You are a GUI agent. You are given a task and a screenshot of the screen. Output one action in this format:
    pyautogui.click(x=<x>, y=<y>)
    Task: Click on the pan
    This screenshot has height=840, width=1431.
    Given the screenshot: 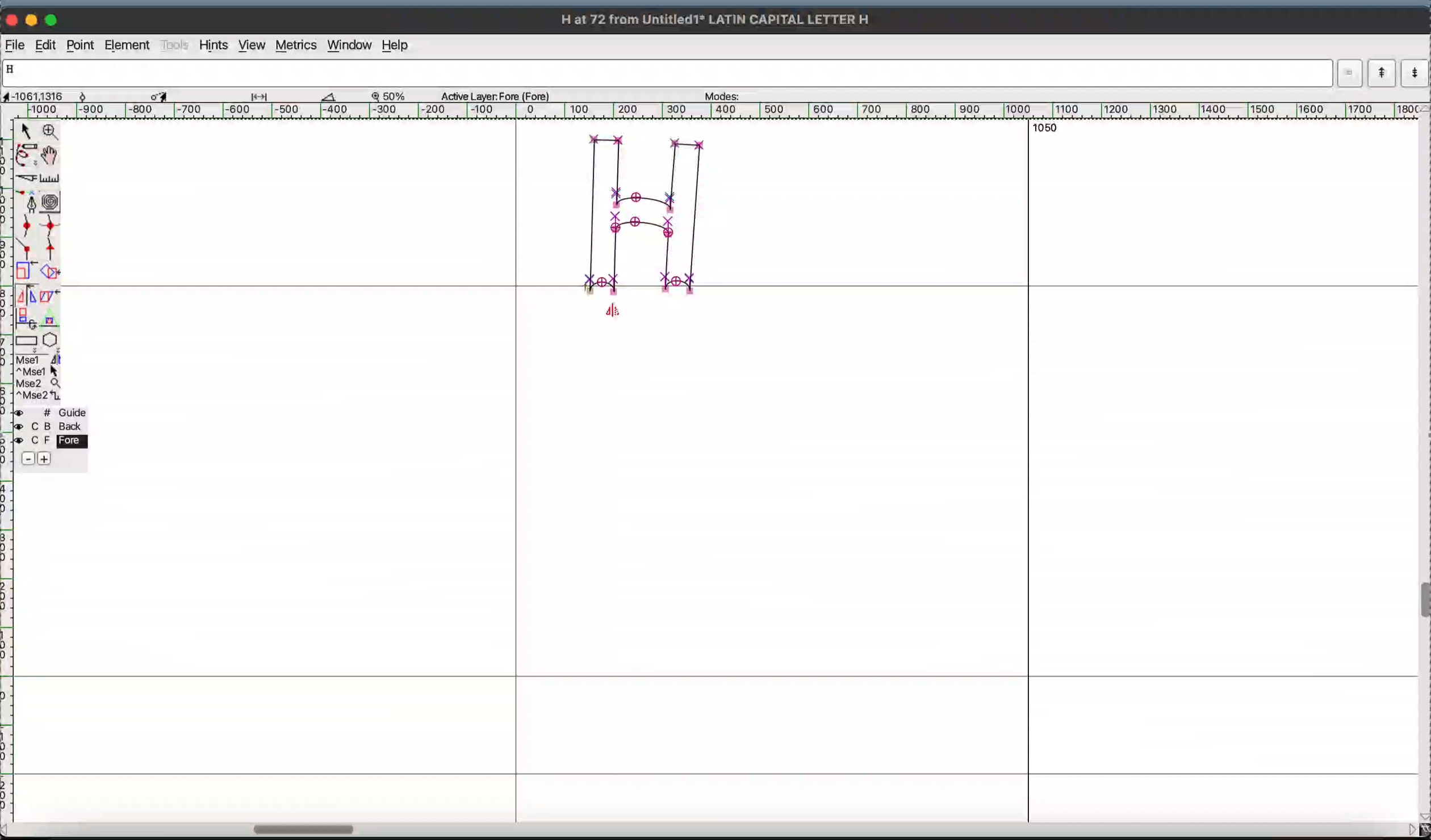 What is the action you would take?
    pyautogui.click(x=53, y=155)
    